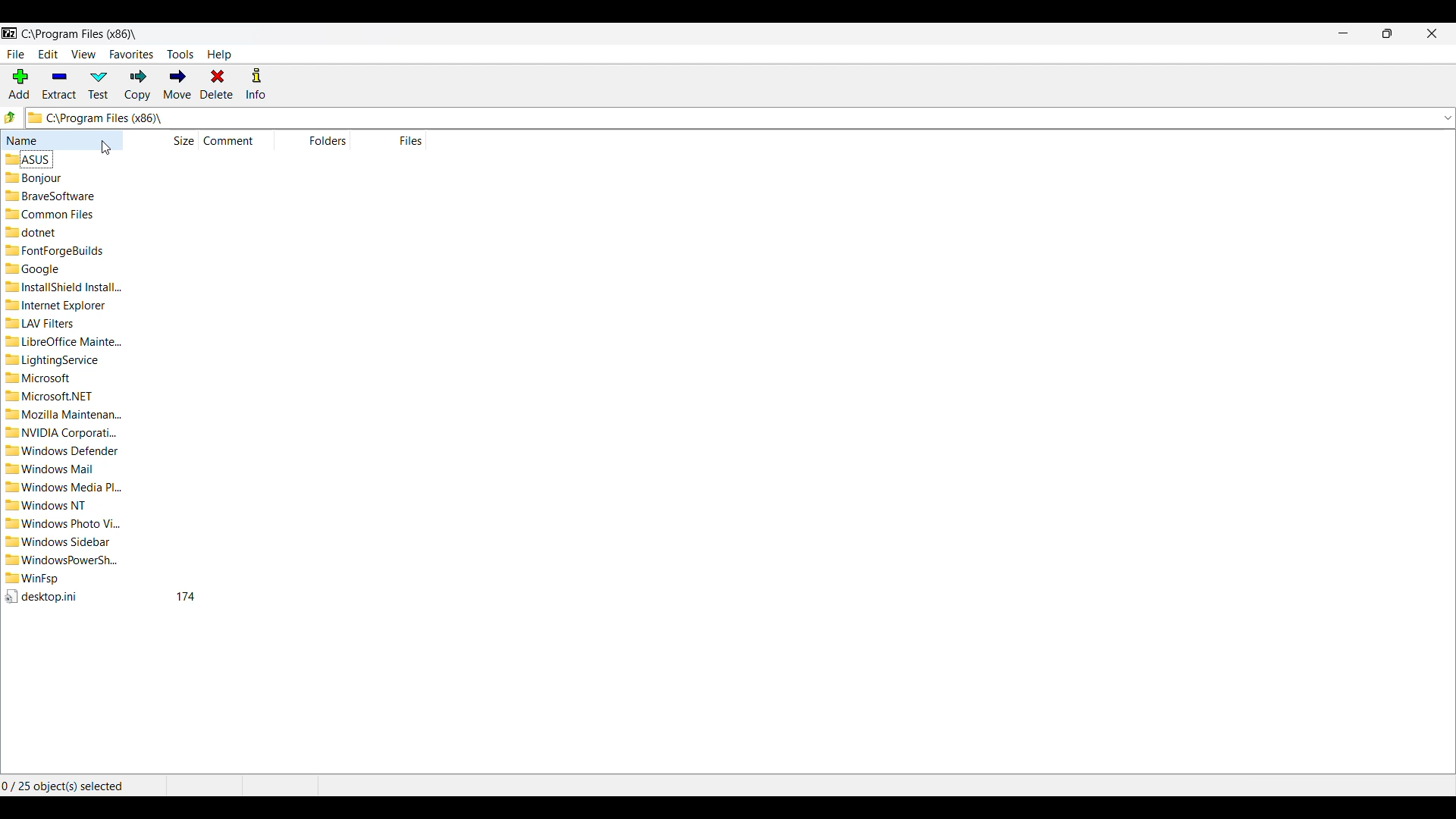  What do you see at coordinates (106, 148) in the screenshot?
I see `Cursor clicking on Name column` at bounding box center [106, 148].